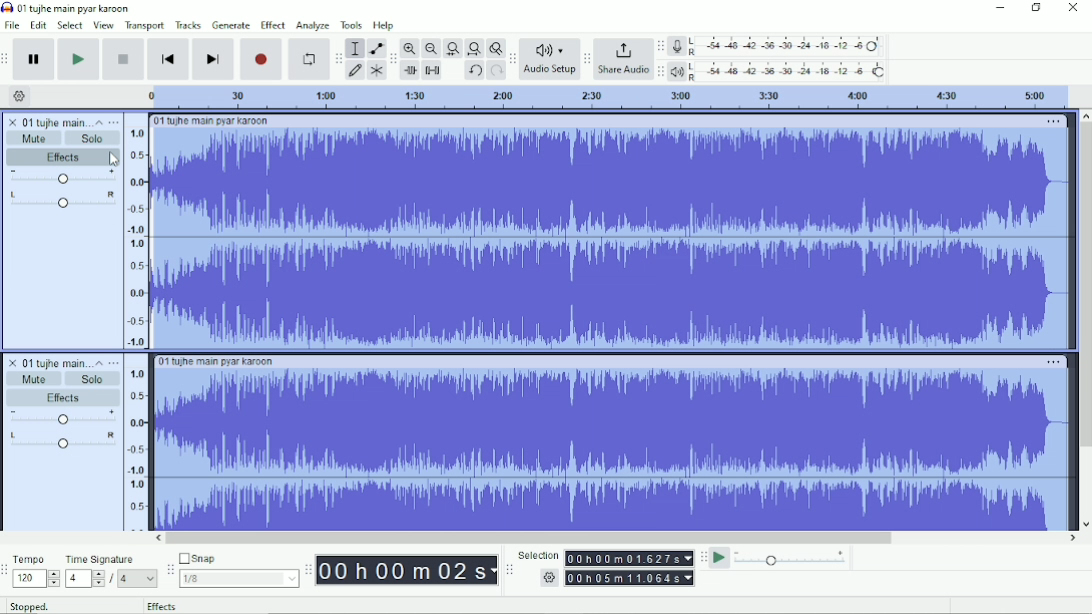 The width and height of the screenshot is (1092, 614). I want to click on Restore down, so click(1036, 8).